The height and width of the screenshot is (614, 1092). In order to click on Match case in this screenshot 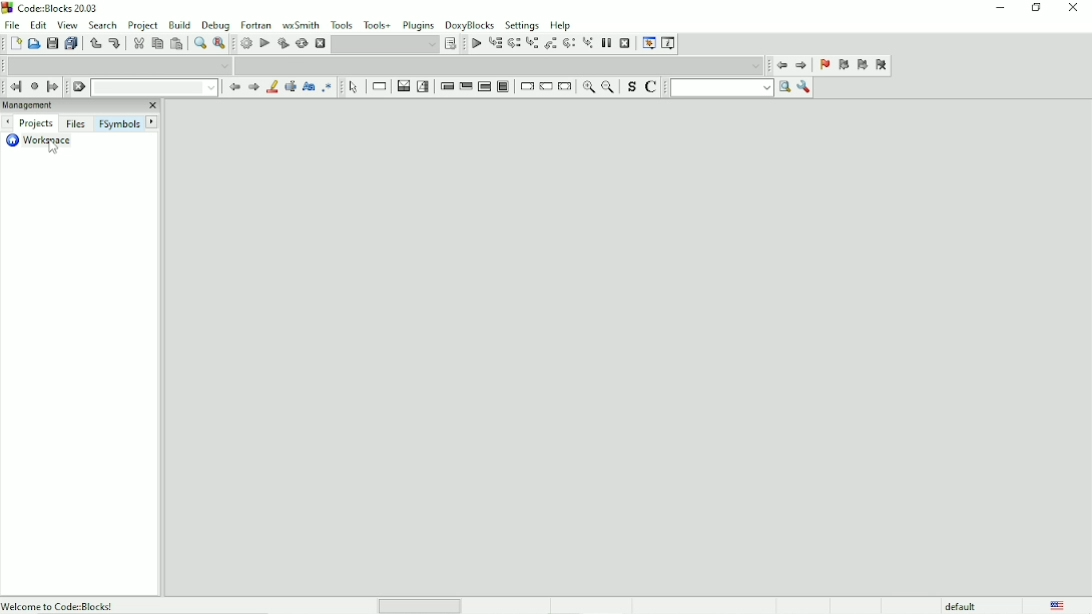, I will do `click(307, 87)`.